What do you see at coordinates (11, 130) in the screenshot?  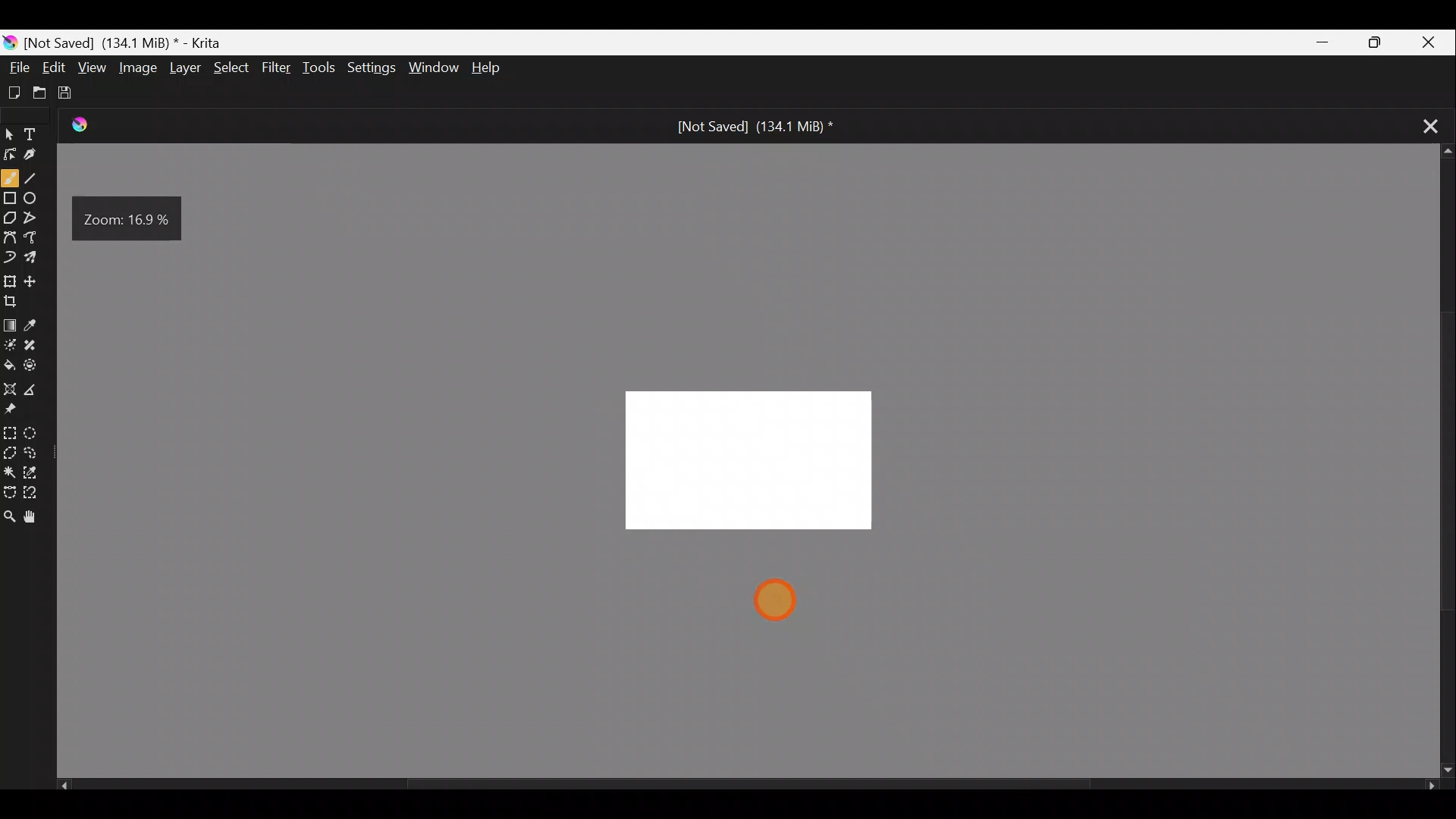 I see `Select shapes tool` at bounding box center [11, 130].